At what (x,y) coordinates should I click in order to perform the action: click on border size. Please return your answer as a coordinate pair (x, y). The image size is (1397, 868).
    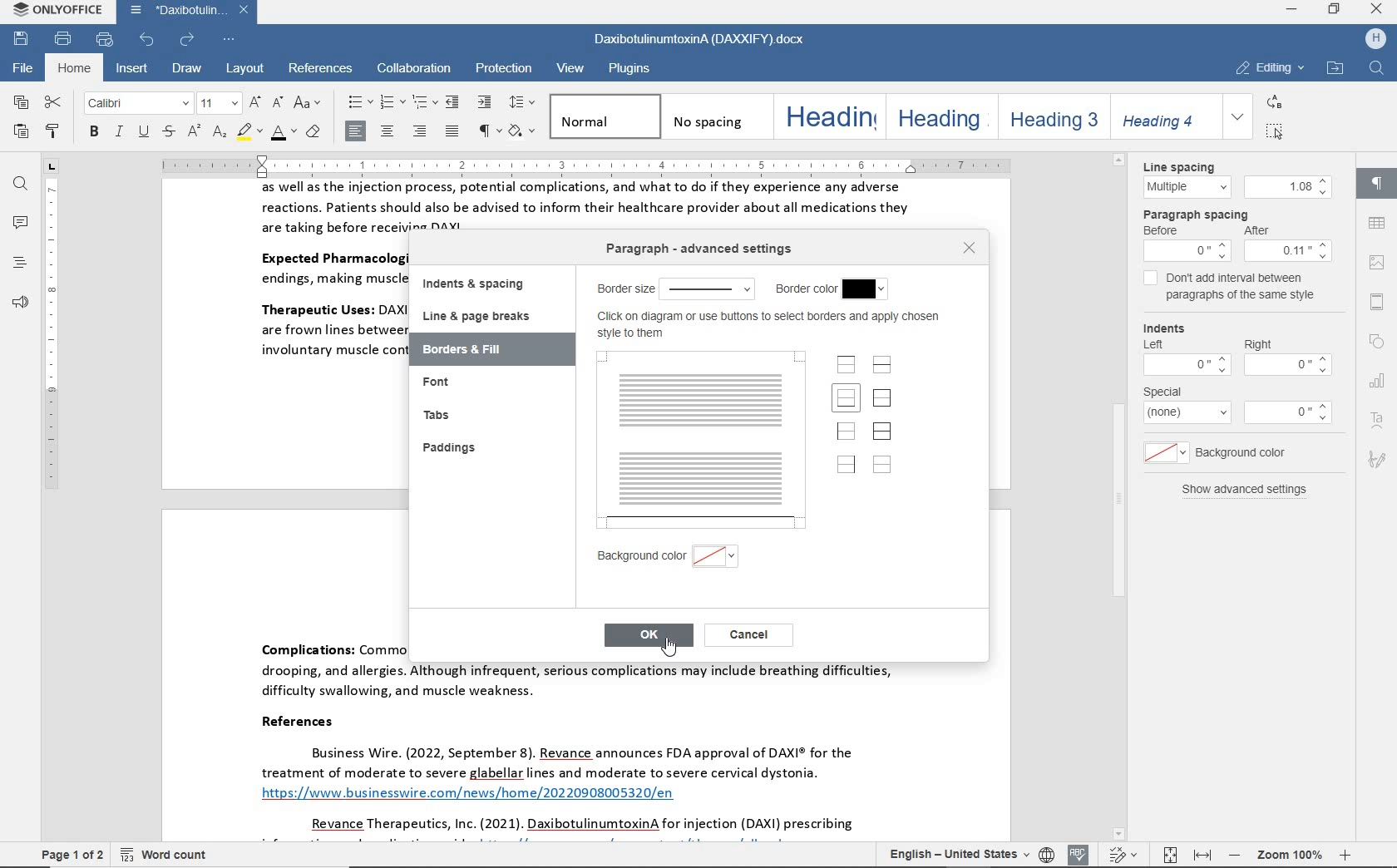
    Looking at the image, I should click on (674, 289).